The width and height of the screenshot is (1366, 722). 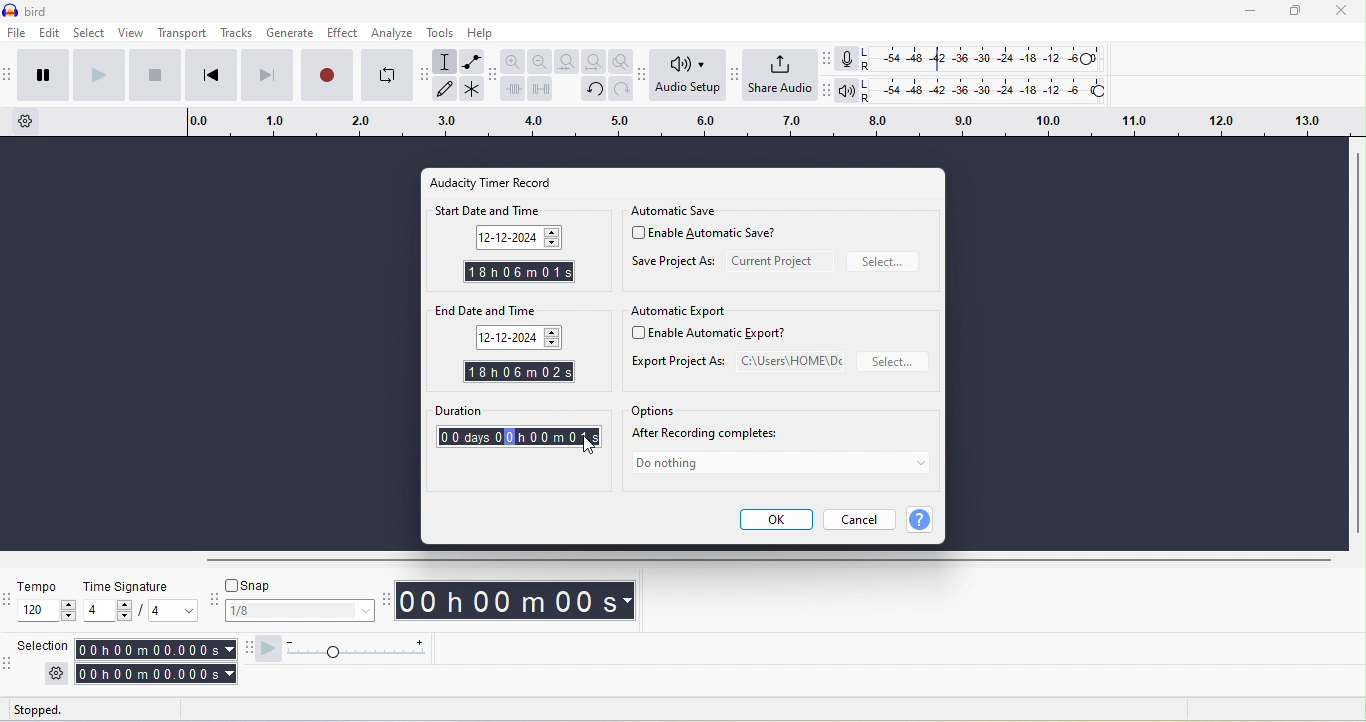 What do you see at coordinates (502, 182) in the screenshot?
I see `audacity time record` at bounding box center [502, 182].